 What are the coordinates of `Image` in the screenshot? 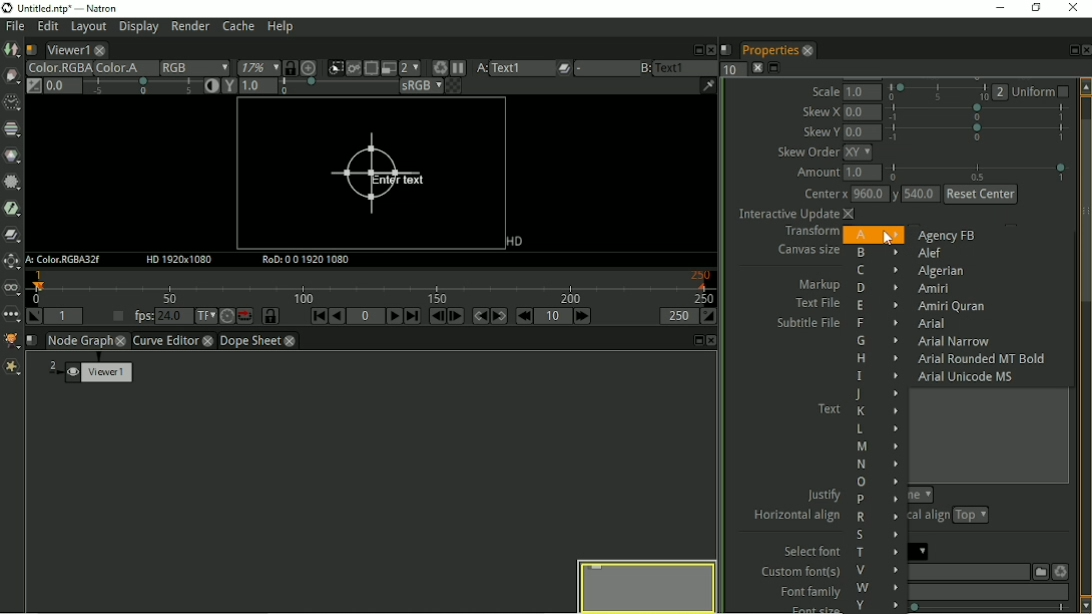 It's located at (12, 51).